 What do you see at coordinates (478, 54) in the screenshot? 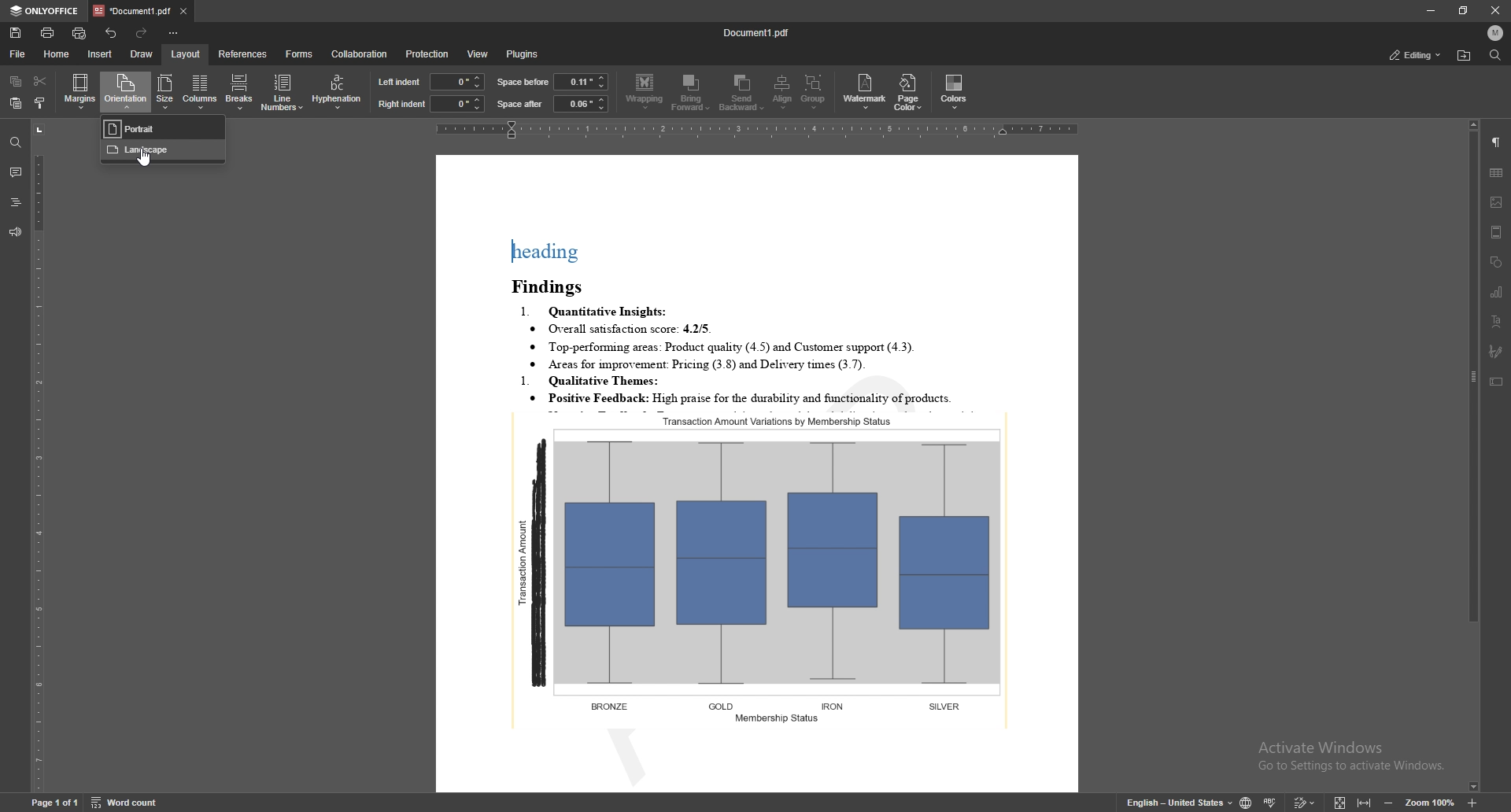
I see `view` at bounding box center [478, 54].